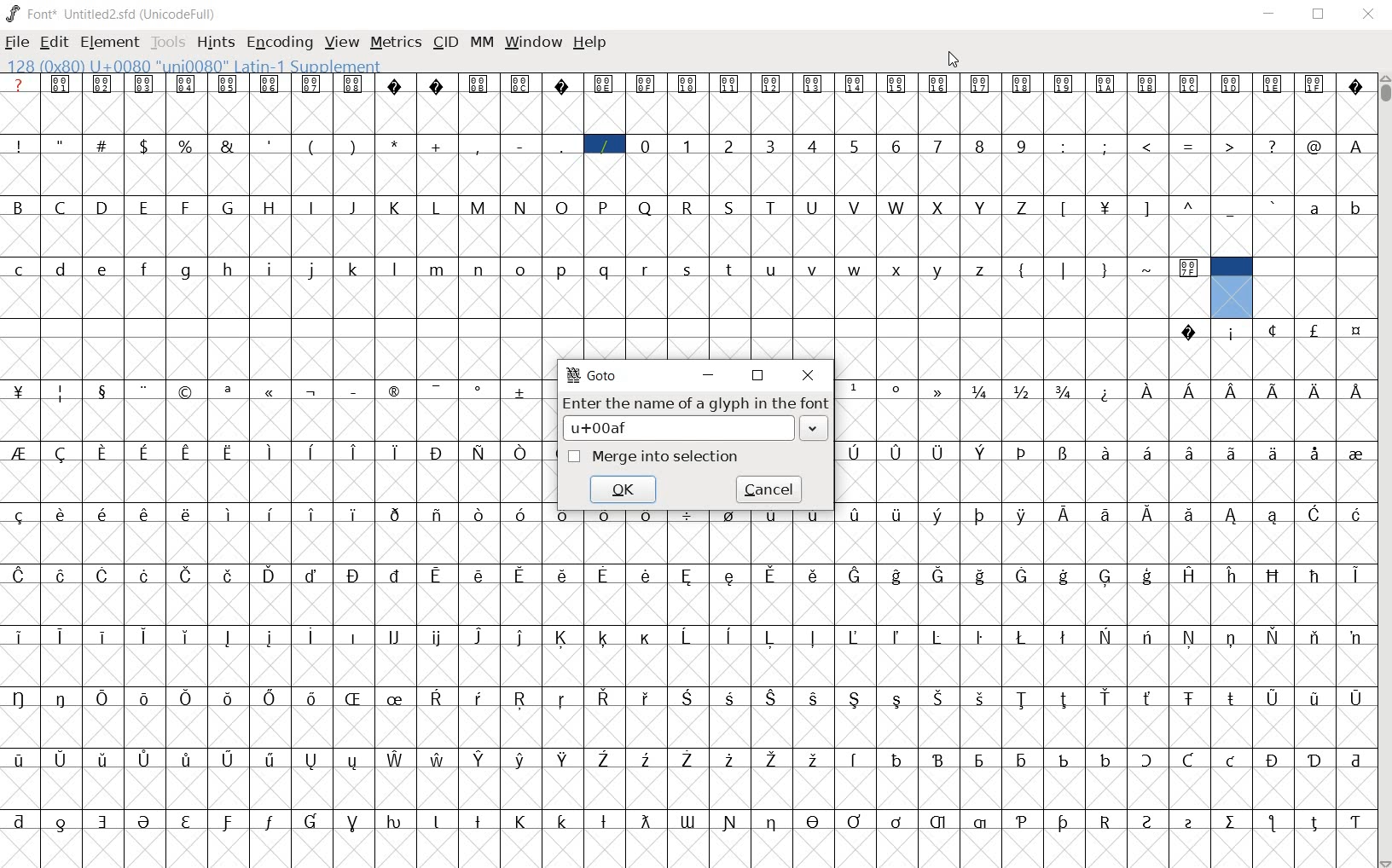 The image size is (1392, 868). I want to click on B, so click(20, 205).